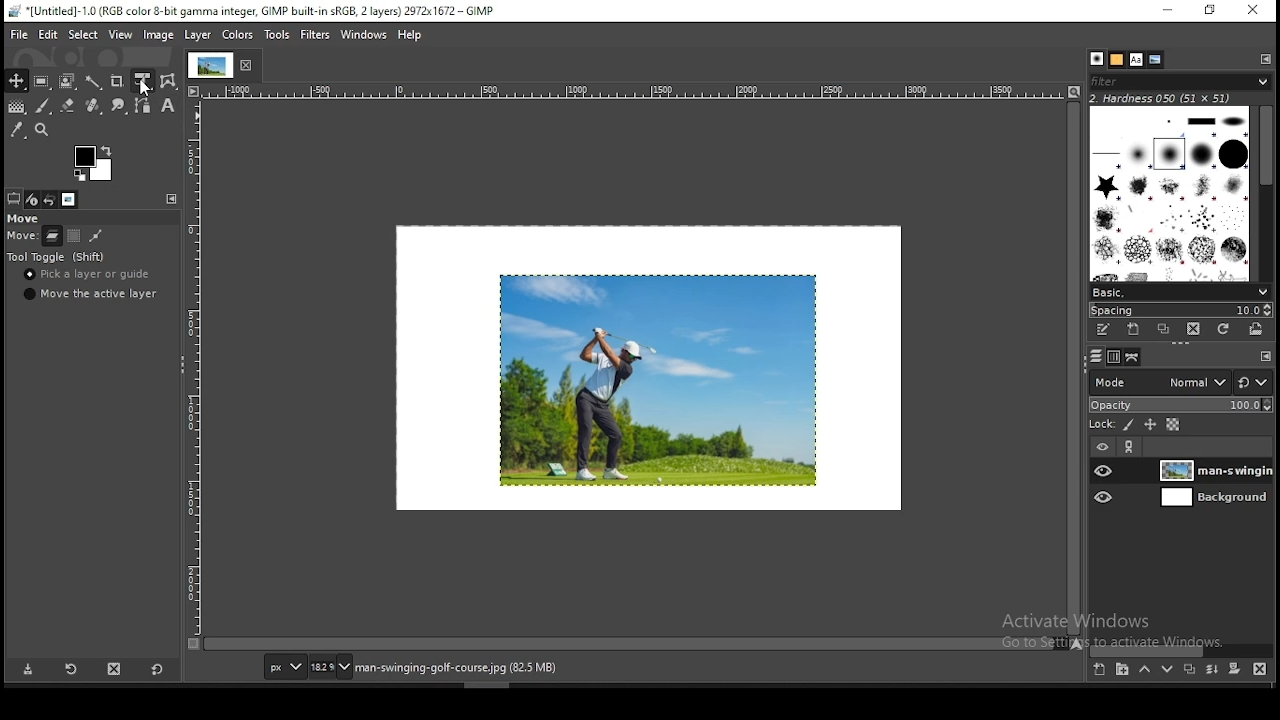 This screenshot has width=1280, height=720. I want to click on blend mode, so click(1181, 382).